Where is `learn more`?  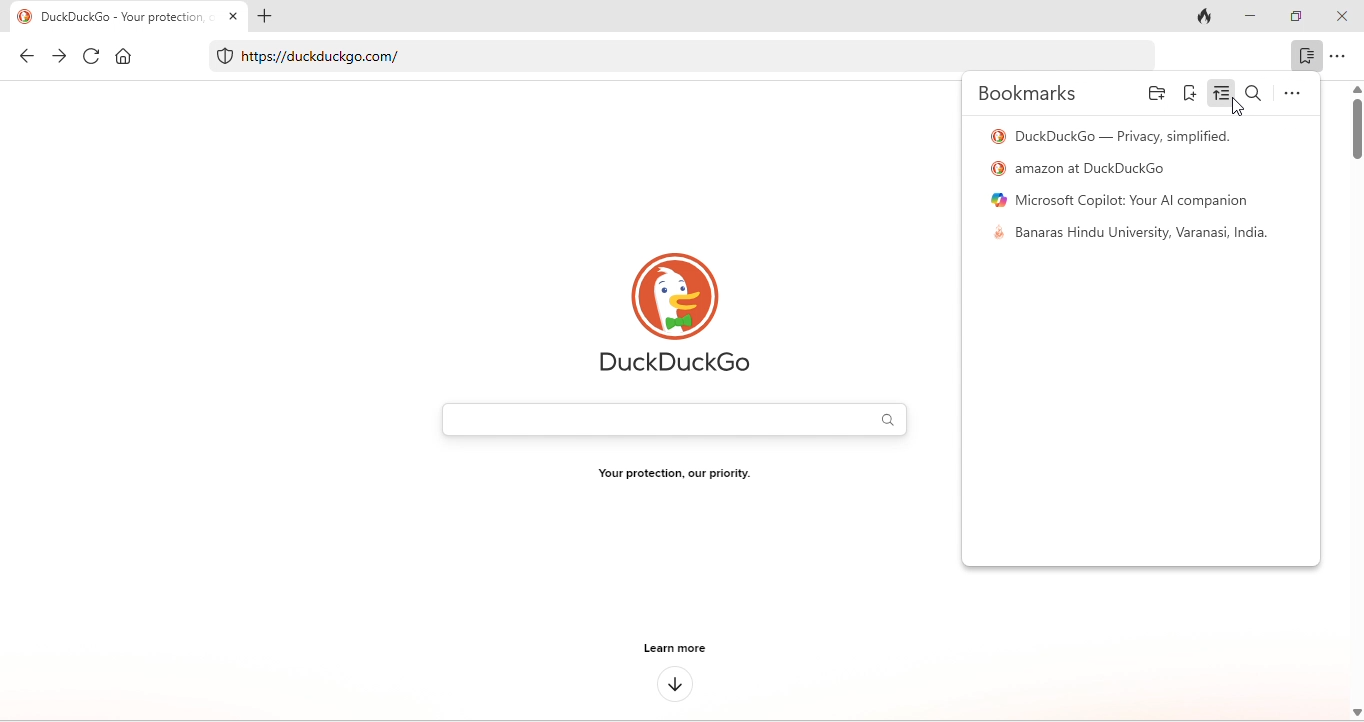 learn more is located at coordinates (672, 648).